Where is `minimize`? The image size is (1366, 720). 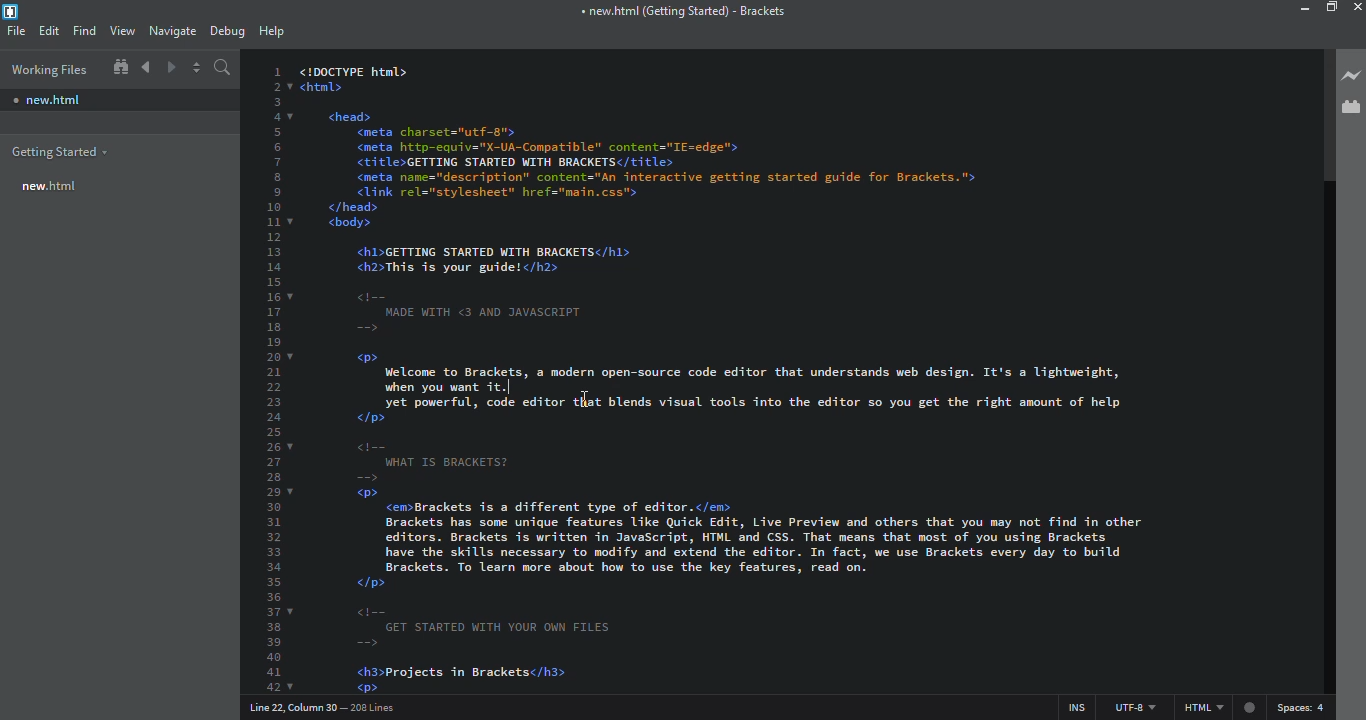 minimize is located at coordinates (1293, 8).